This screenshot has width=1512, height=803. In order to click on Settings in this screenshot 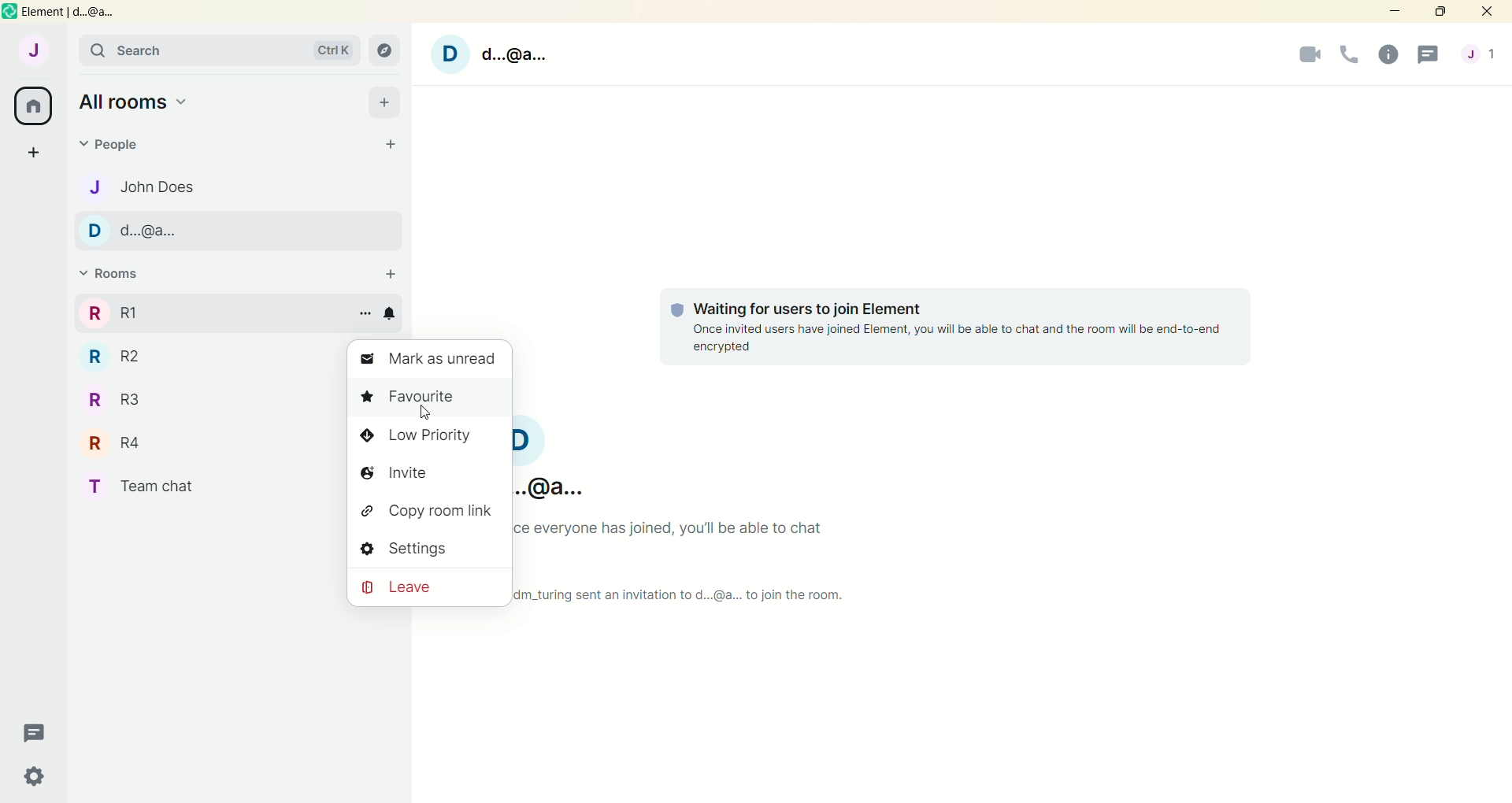, I will do `click(36, 776)`.